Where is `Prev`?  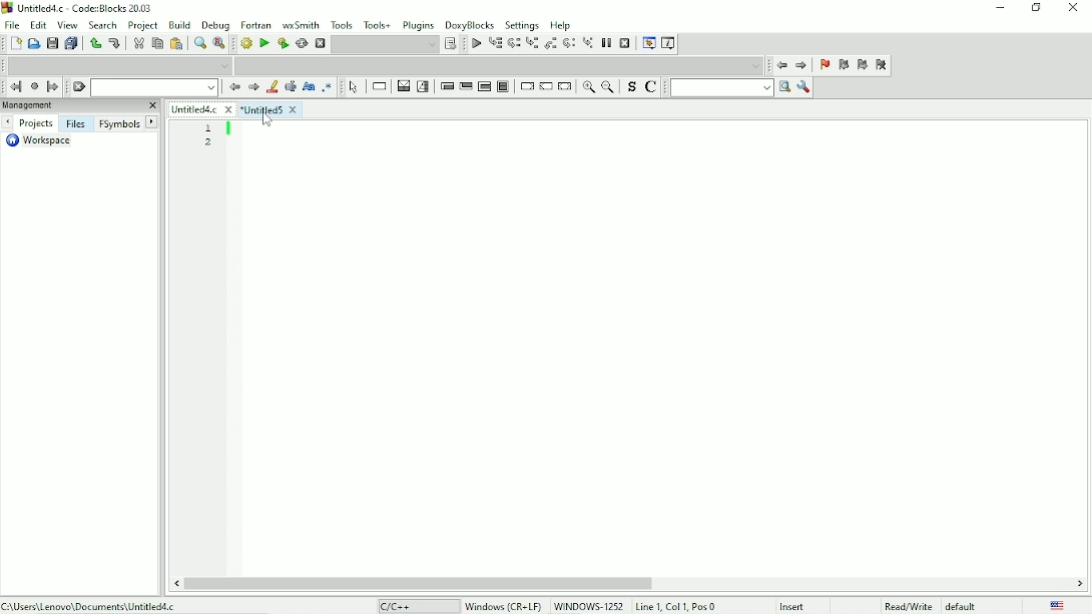 Prev is located at coordinates (233, 87).